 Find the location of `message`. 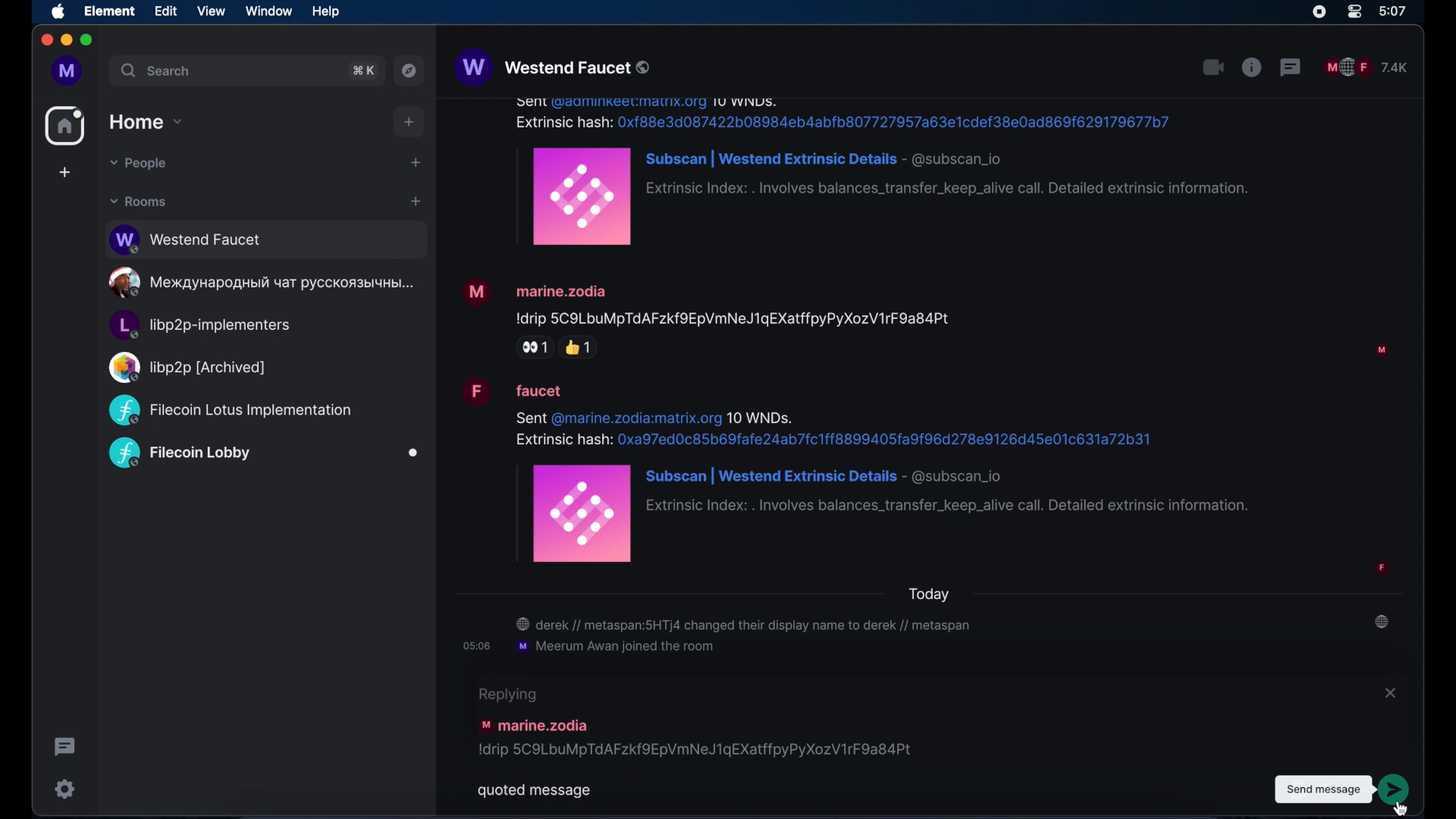

message is located at coordinates (787, 175).